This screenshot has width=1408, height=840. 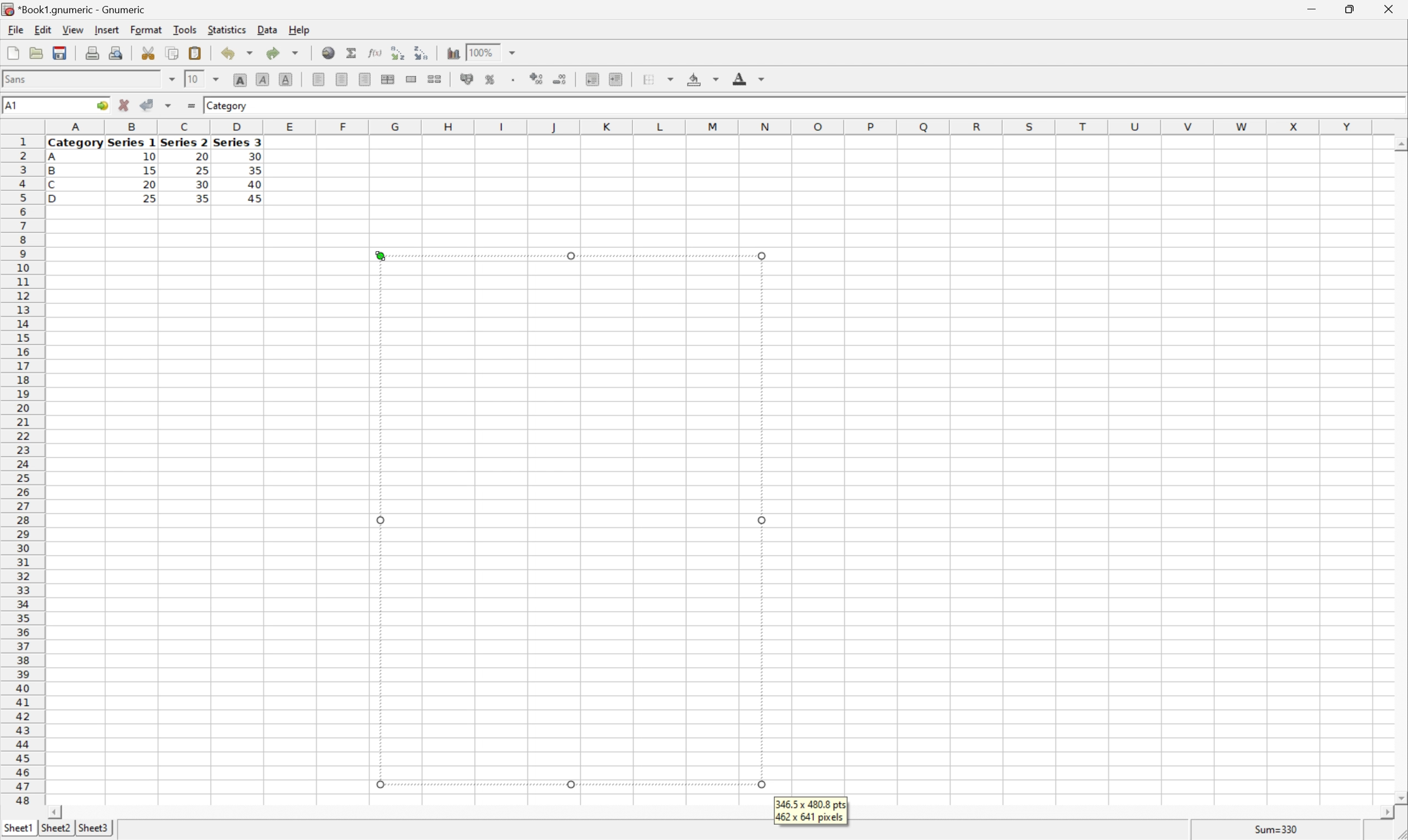 What do you see at coordinates (1398, 143) in the screenshot?
I see `Scroll Up` at bounding box center [1398, 143].